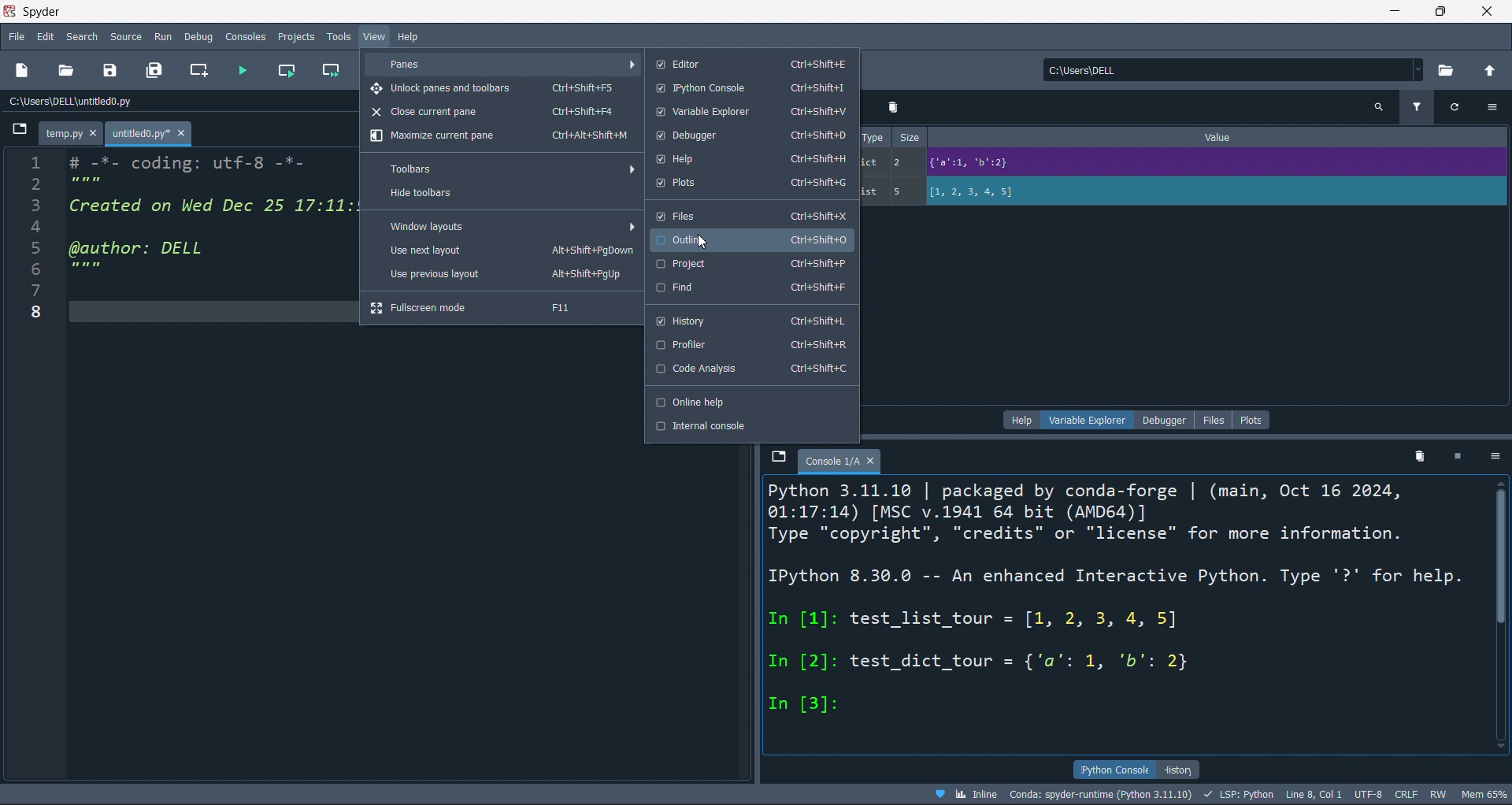 This screenshot has width=1512, height=805. Describe the element at coordinates (903, 161) in the screenshot. I see `2` at that location.